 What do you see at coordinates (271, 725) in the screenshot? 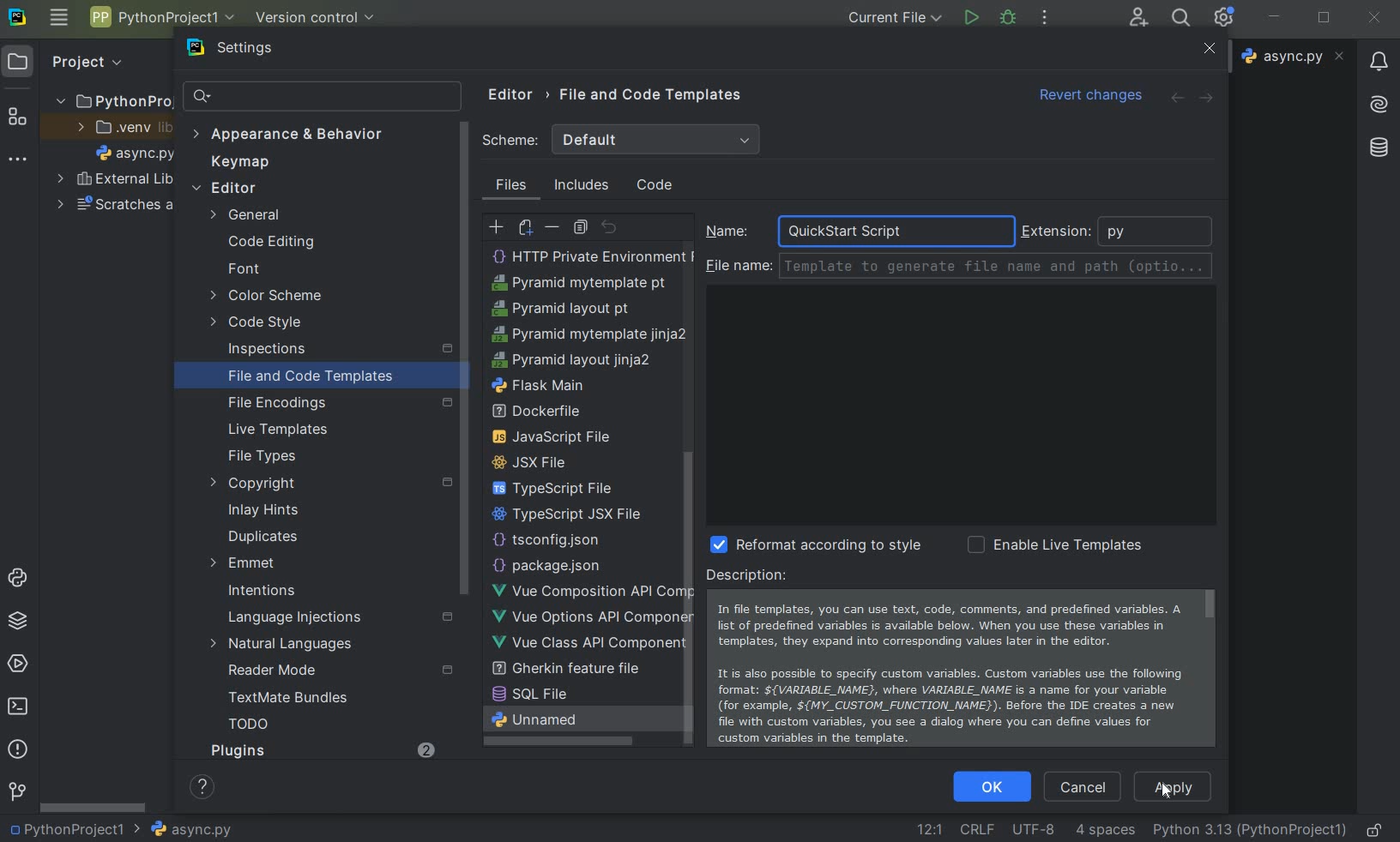
I see `TODO` at bounding box center [271, 725].